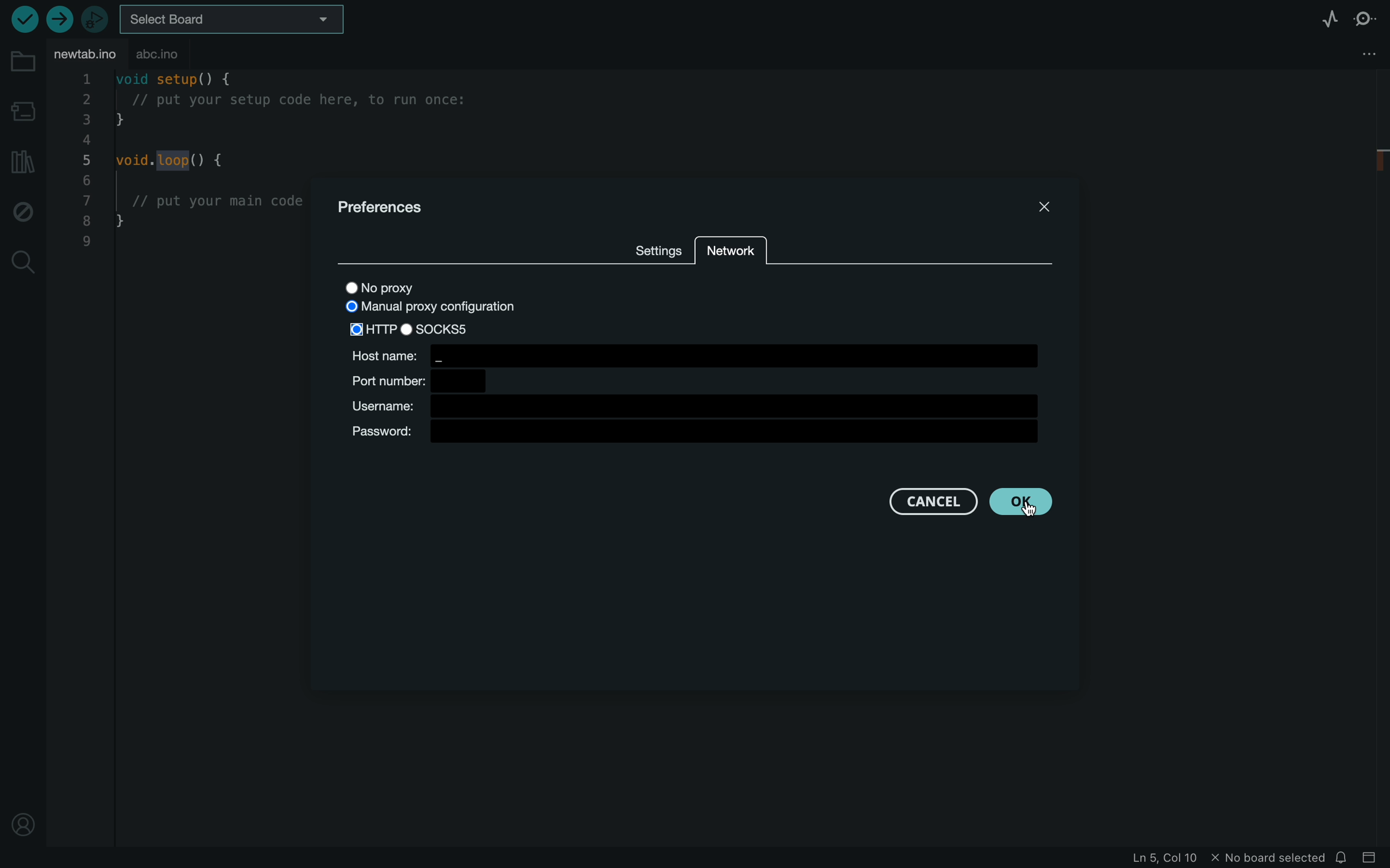 The image size is (1390, 868). Describe the element at coordinates (652, 248) in the screenshot. I see `sttings` at that location.